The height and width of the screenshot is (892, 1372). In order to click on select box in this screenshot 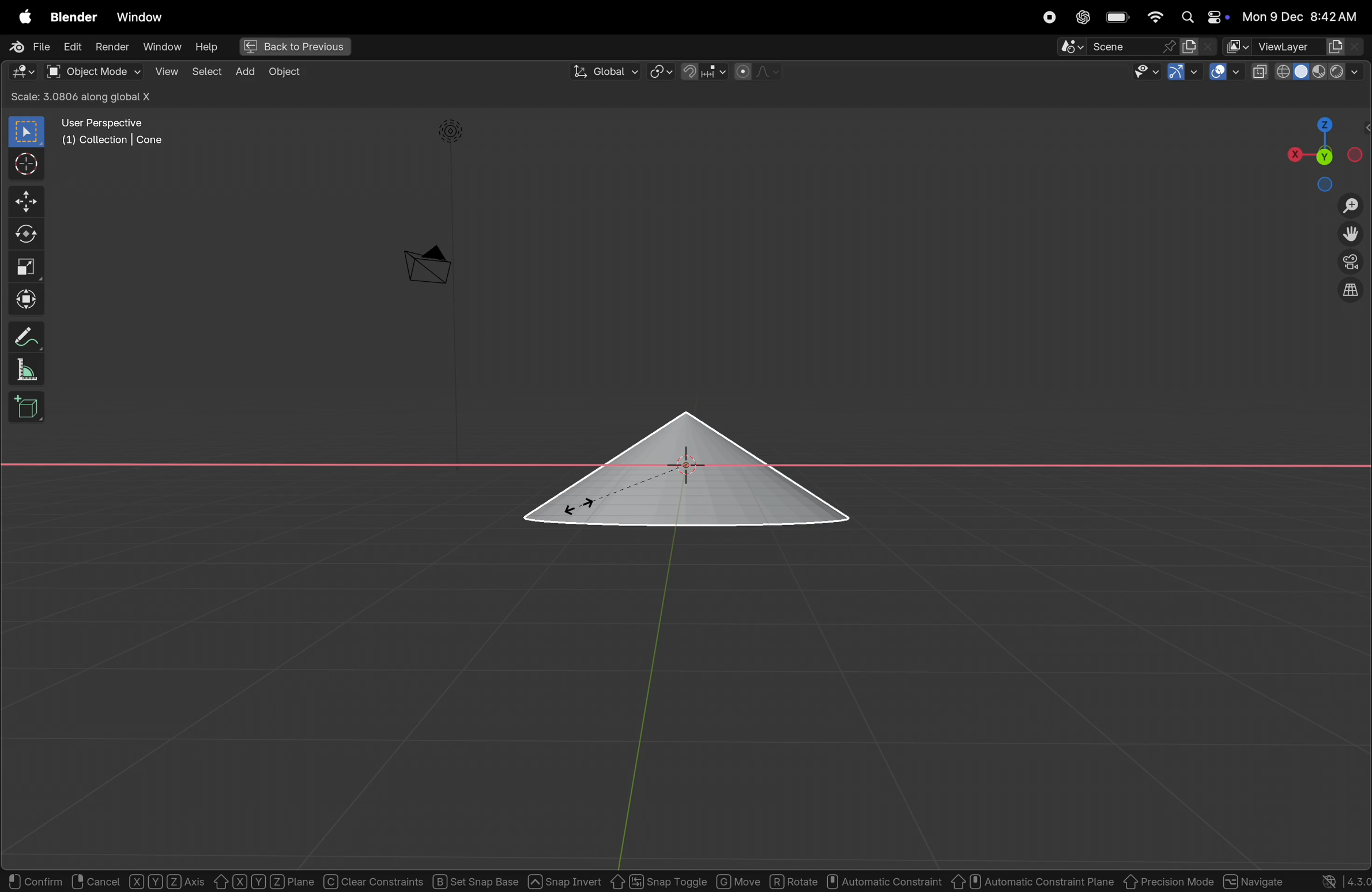, I will do `click(28, 132)`.